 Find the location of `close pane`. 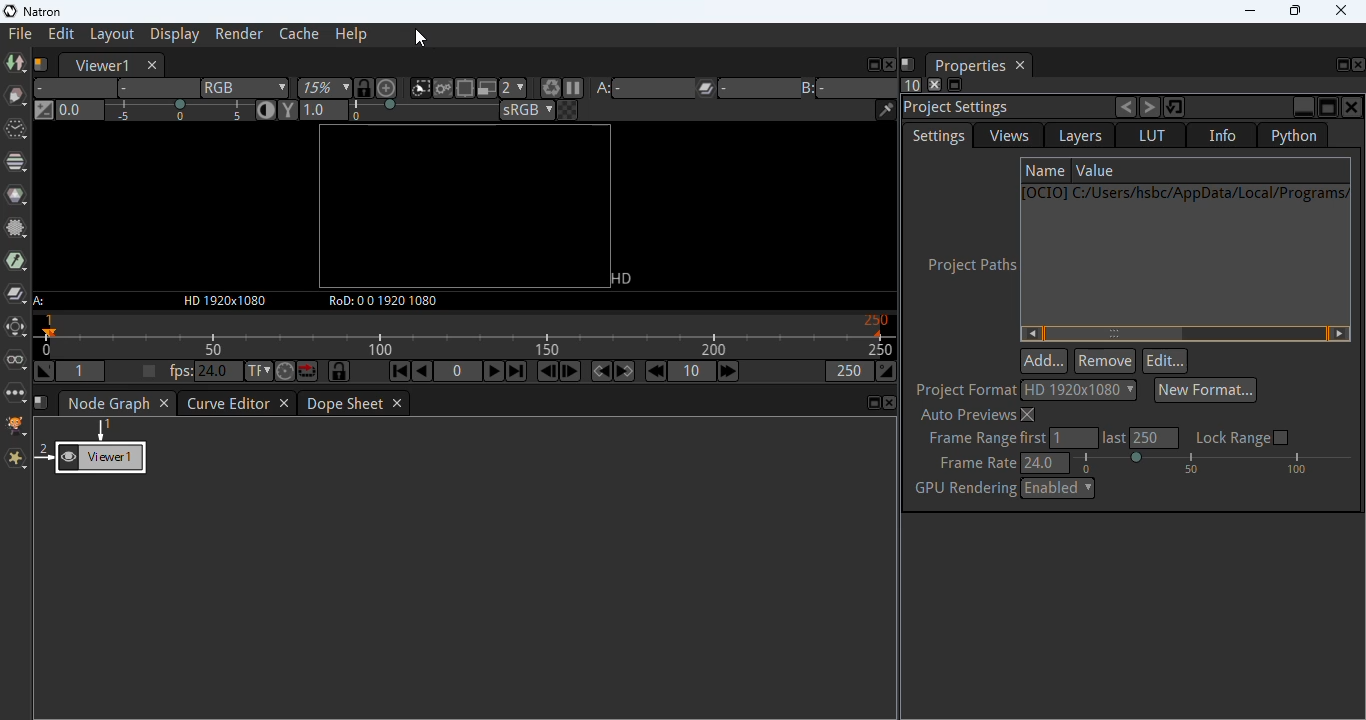

close pane is located at coordinates (892, 403).